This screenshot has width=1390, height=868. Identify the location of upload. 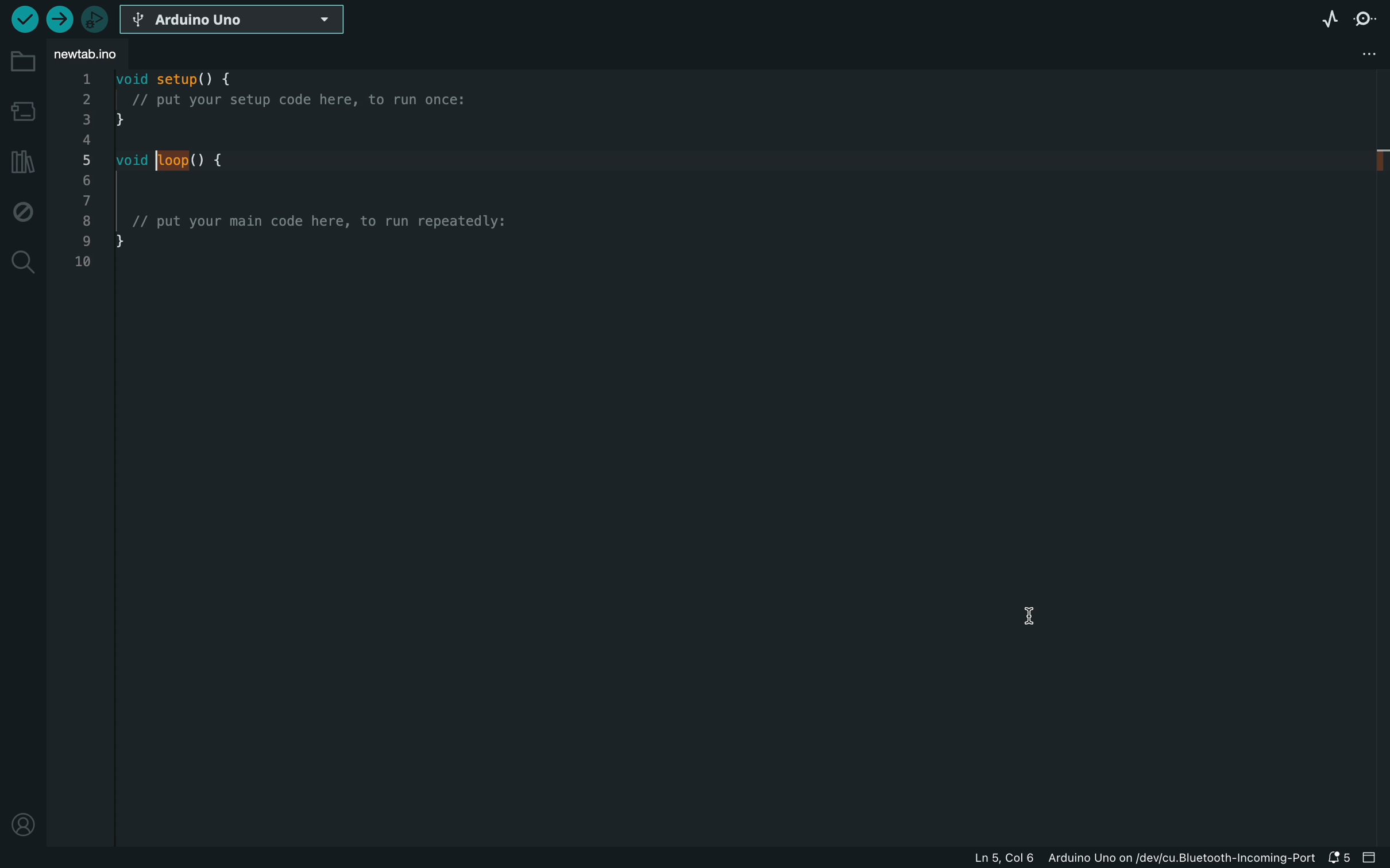
(63, 20).